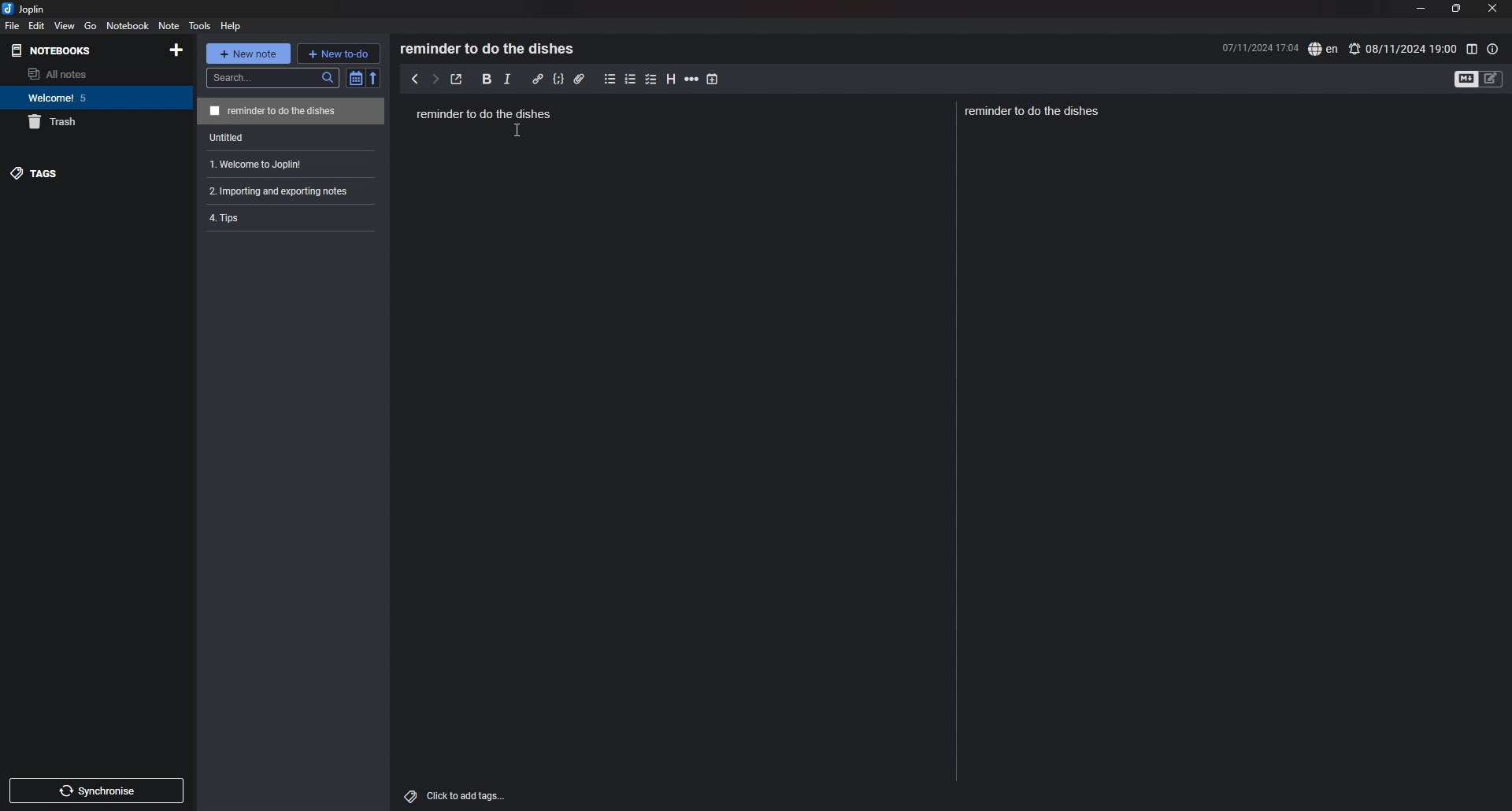 The height and width of the screenshot is (811, 1512). Describe the element at coordinates (1419, 8) in the screenshot. I see `minimize` at that location.